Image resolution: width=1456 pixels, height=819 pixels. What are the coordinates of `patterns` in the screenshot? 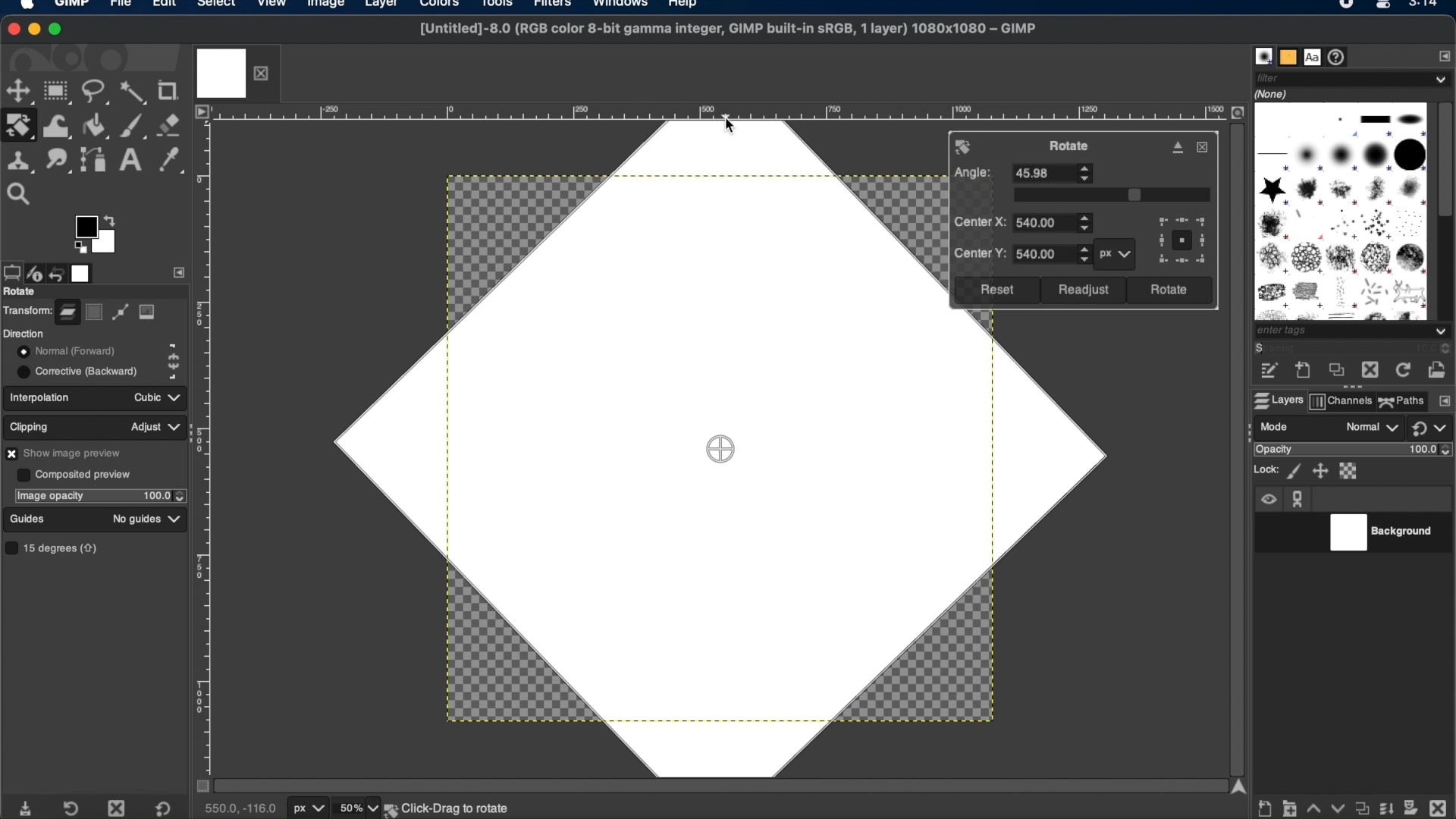 It's located at (1288, 56).